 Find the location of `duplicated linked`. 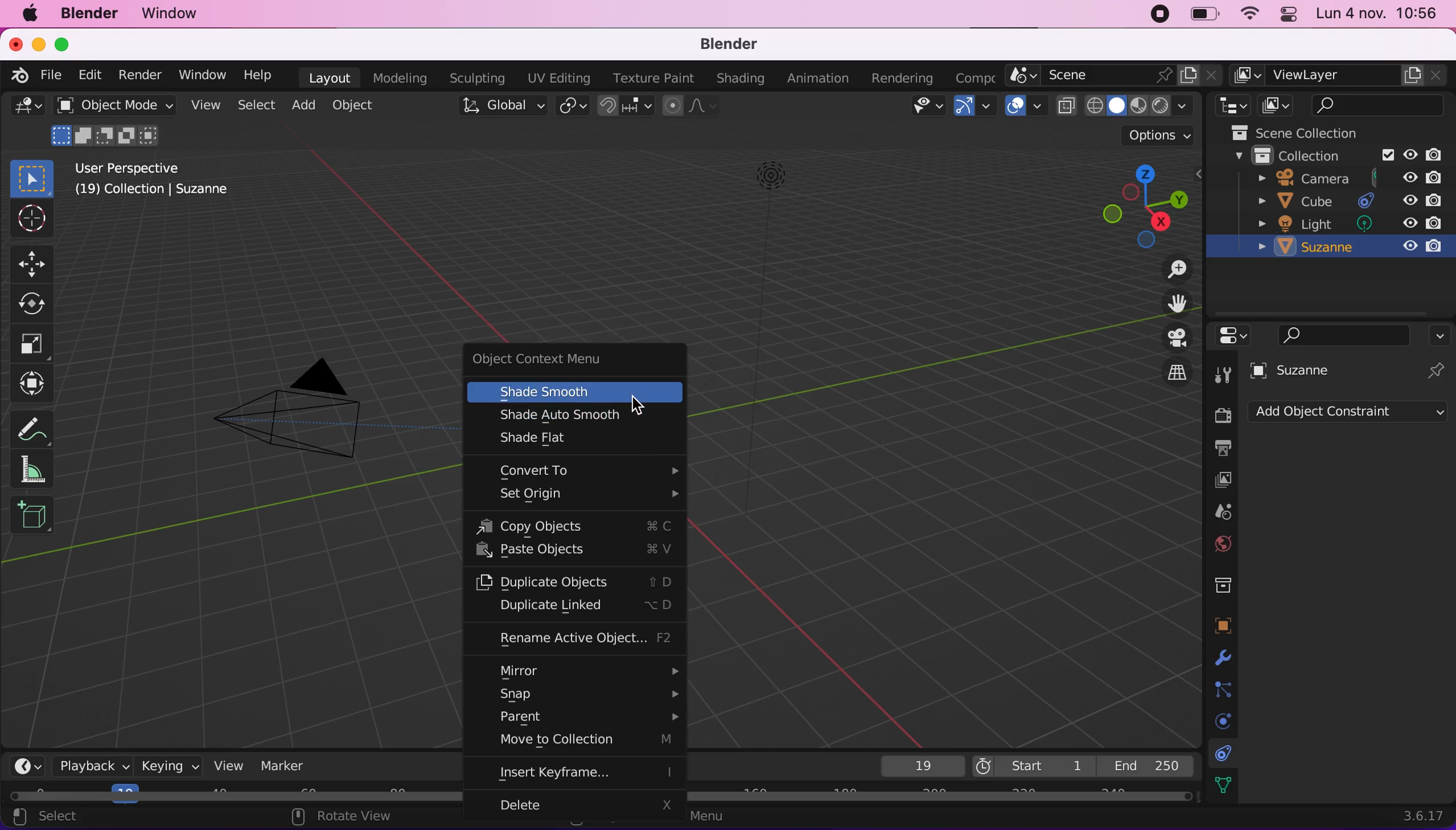

duplicated linked is located at coordinates (579, 608).